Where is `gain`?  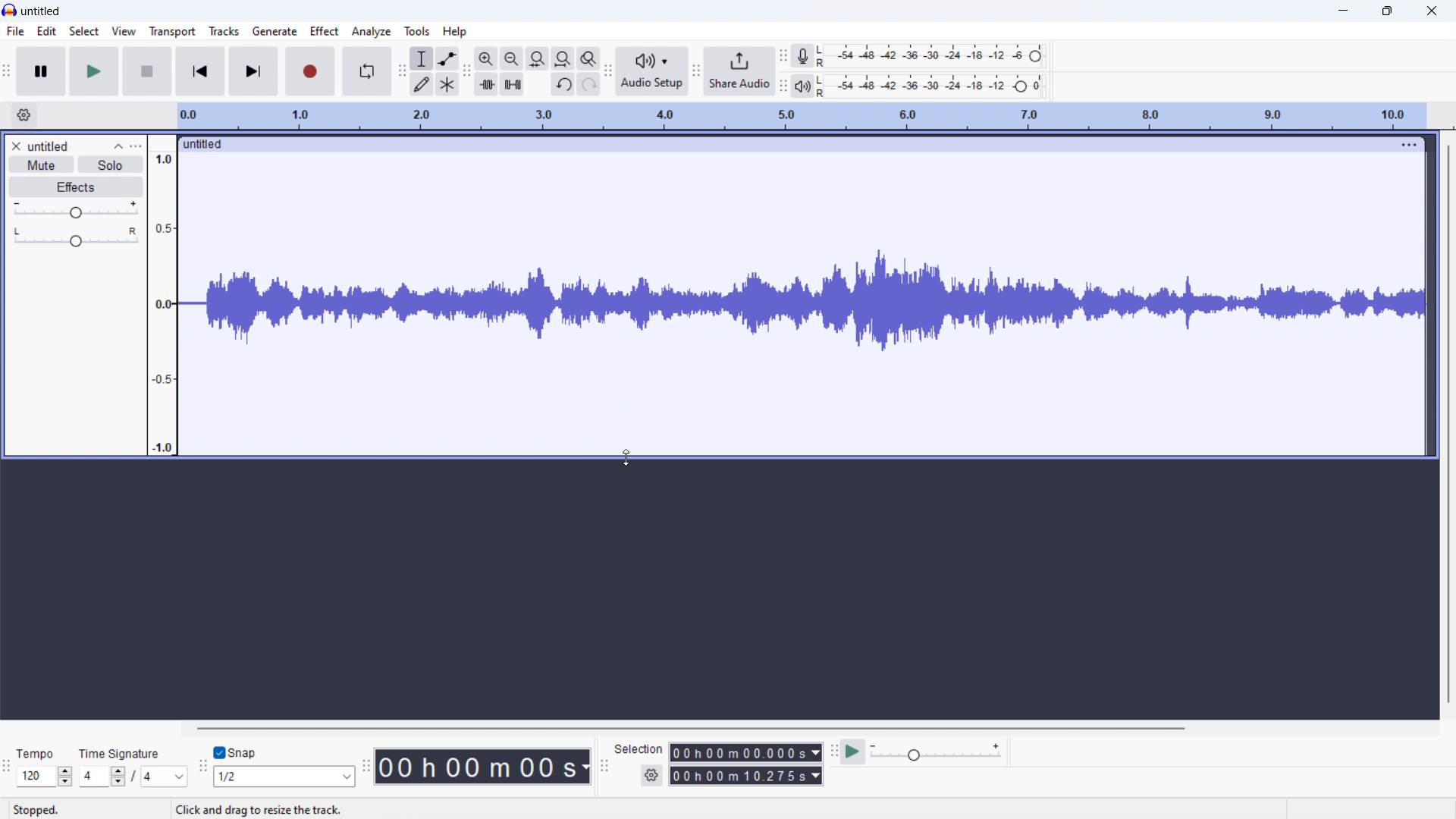
gain is located at coordinates (77, 210).